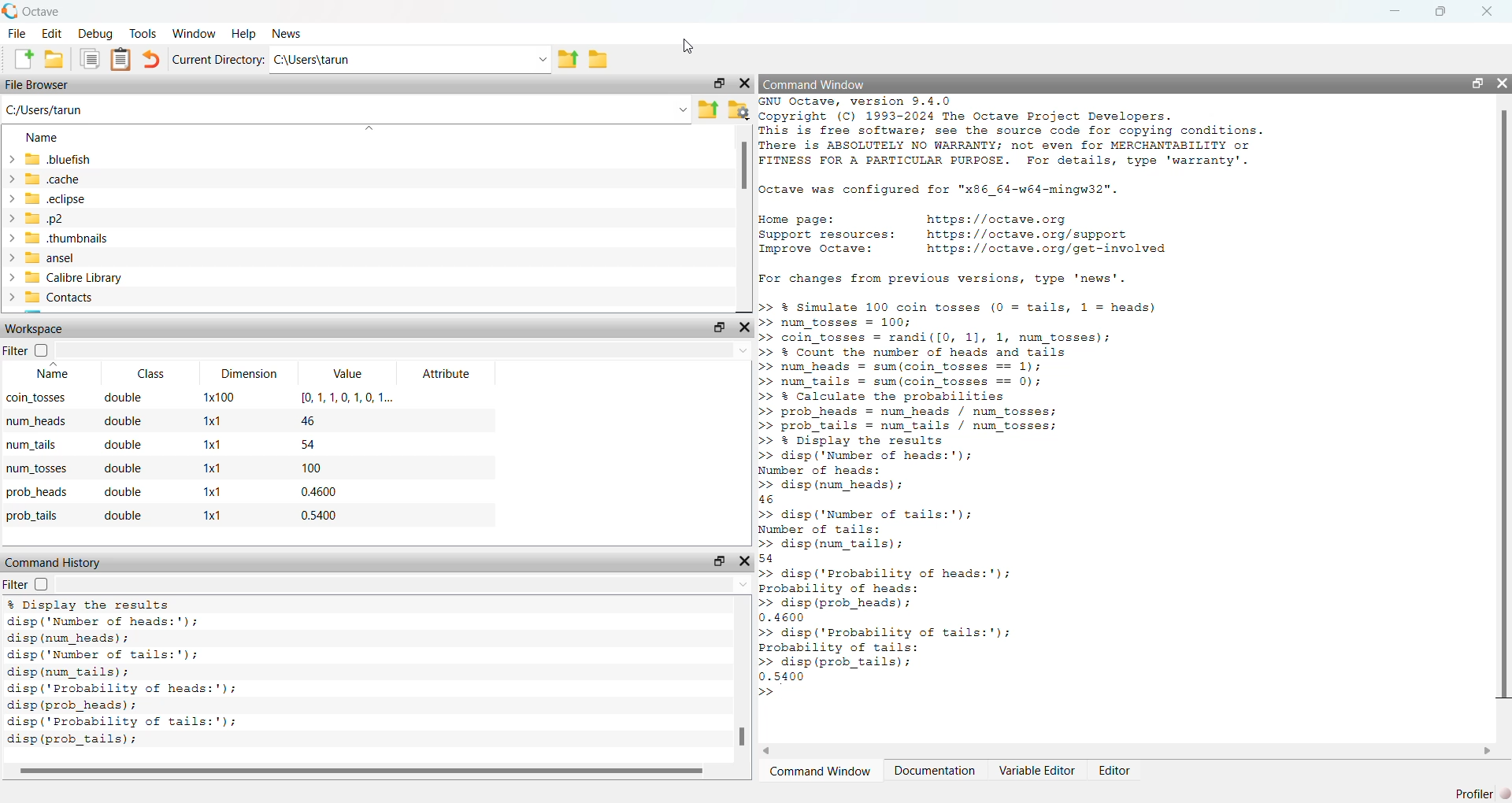 This screenshot has height=803, width=1512. What do you see at coordinates (743, 583) in the screenshot?
I see `dropdown` at bounding box center [743, 583].